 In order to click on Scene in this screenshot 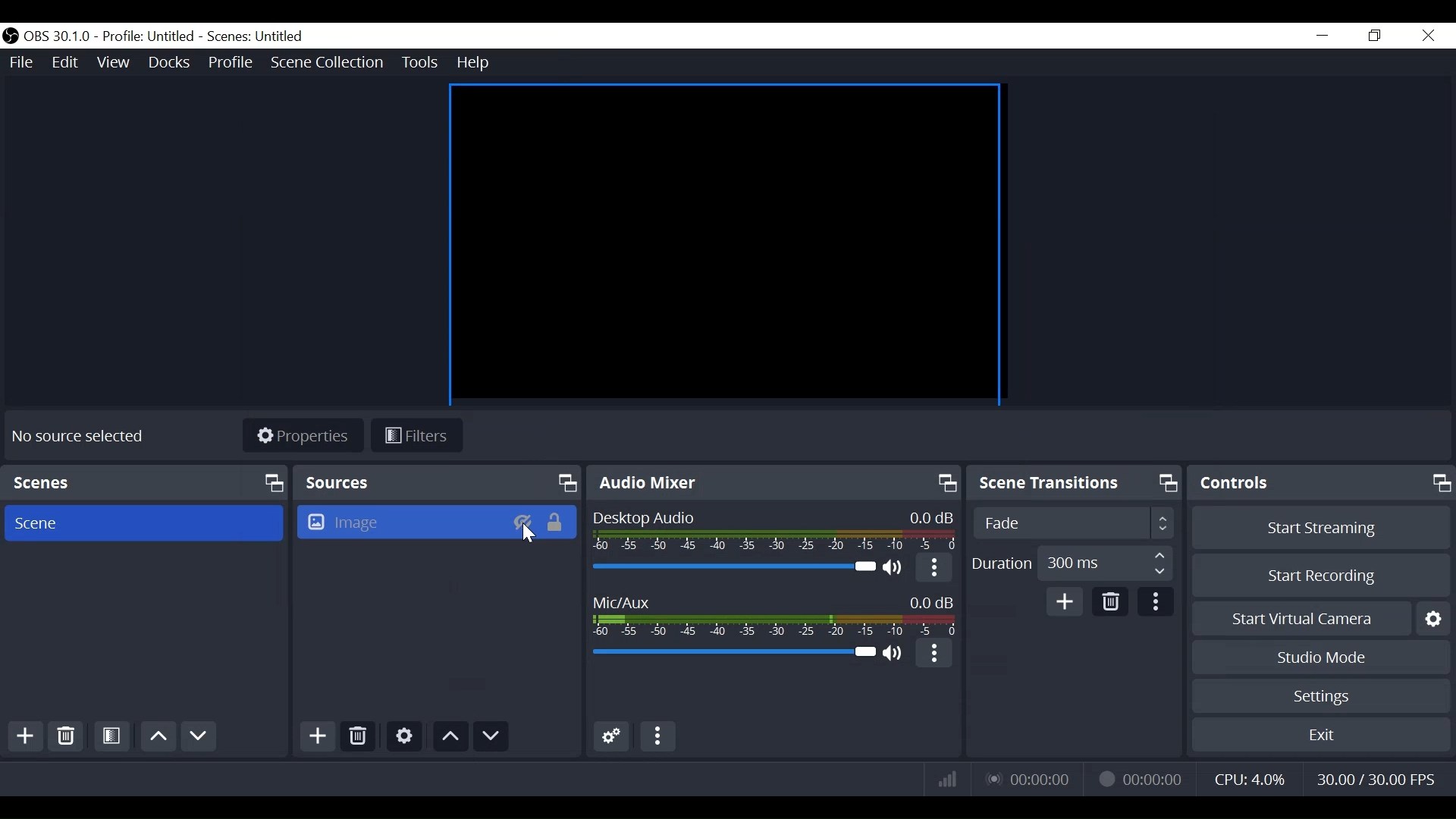, I will do `click(148, 523)`.